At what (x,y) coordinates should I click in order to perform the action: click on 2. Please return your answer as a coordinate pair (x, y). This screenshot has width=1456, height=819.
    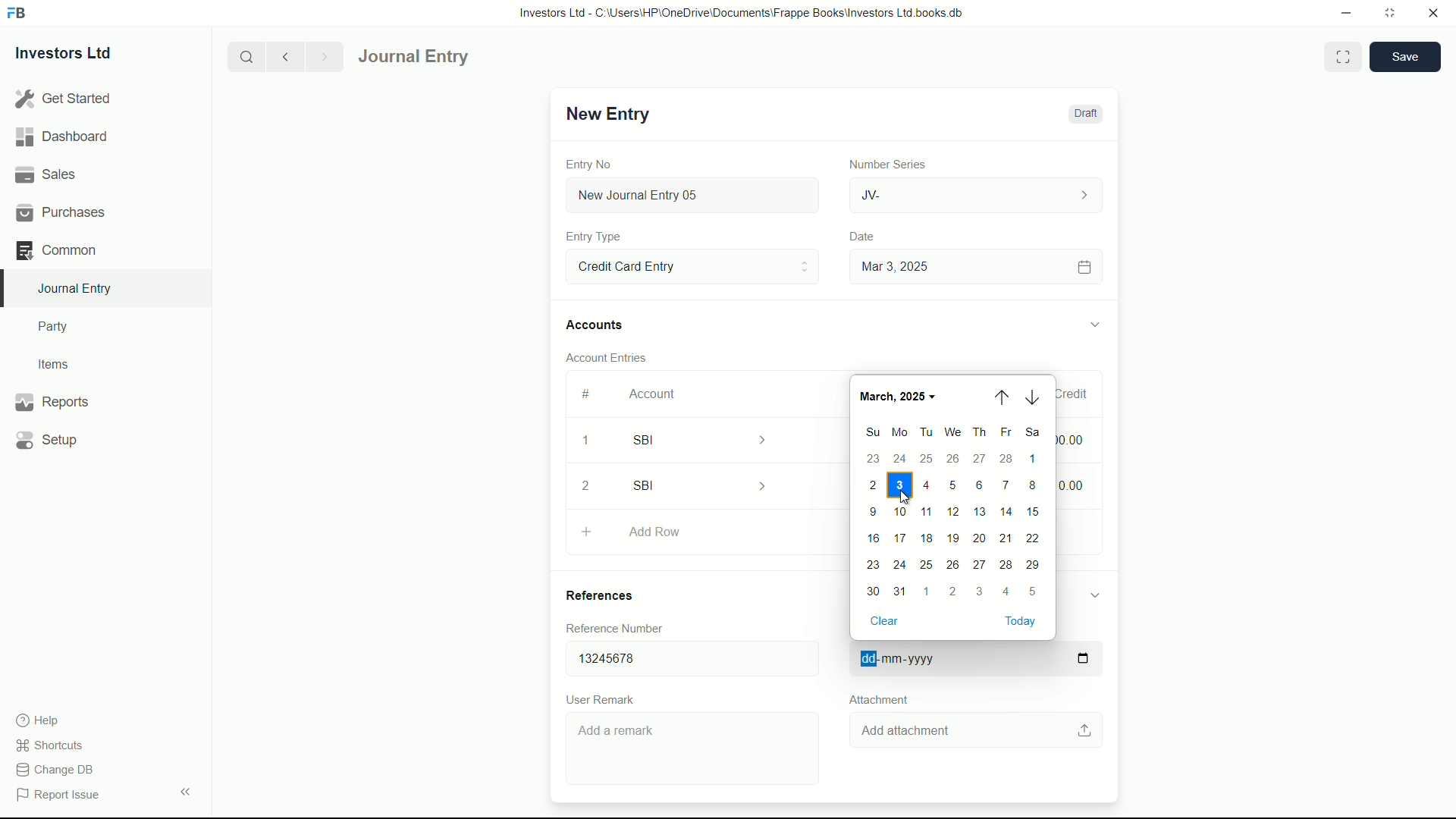
    Looking at the image, I should click on (591, 485).